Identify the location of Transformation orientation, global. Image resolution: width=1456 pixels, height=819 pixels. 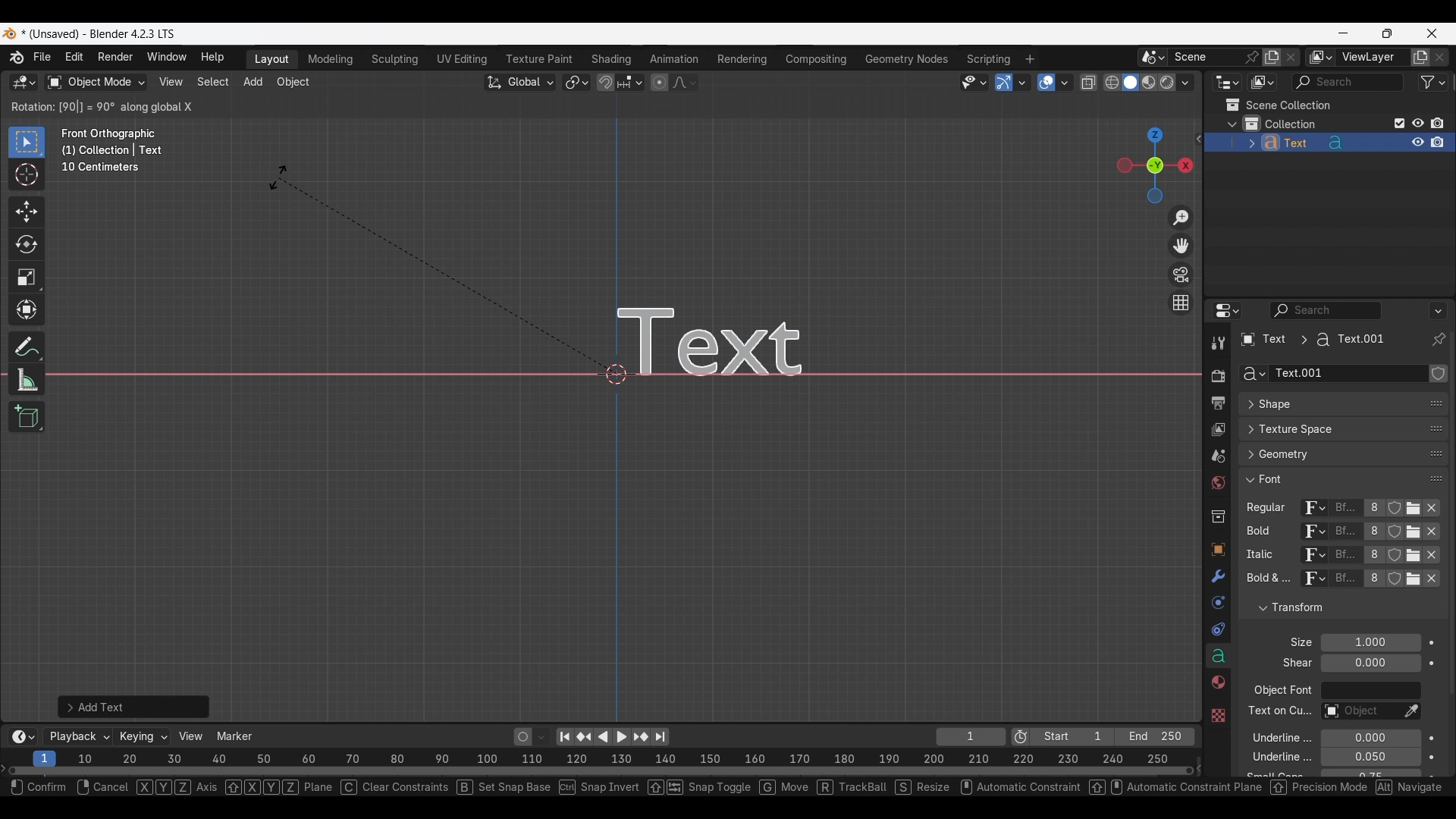
(520, 83).